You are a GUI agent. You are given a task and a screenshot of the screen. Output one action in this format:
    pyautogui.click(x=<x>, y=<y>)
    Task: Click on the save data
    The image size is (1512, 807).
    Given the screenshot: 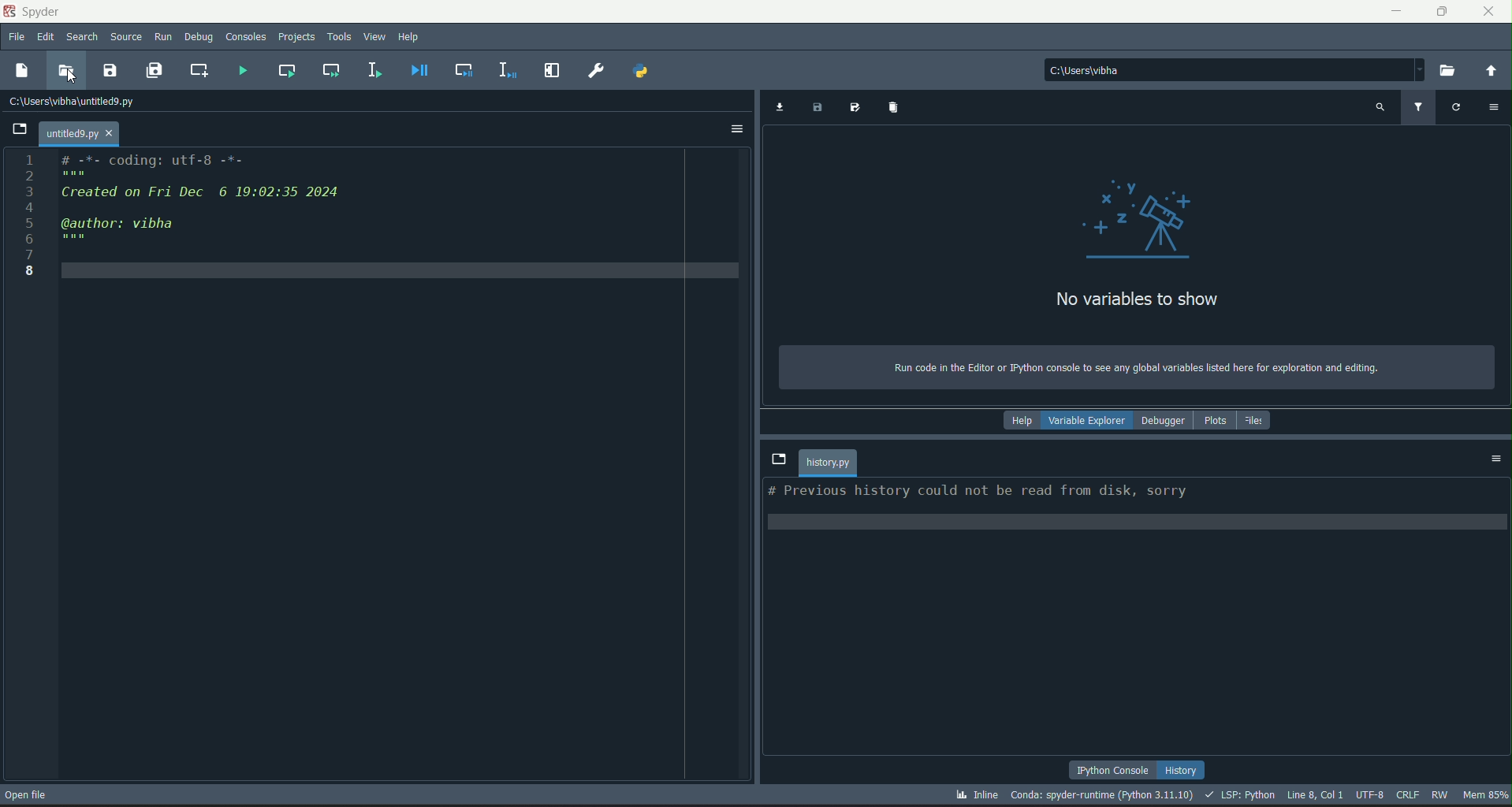 What is the action you would take?
    pyautogui.click(x=818, y=109)
    